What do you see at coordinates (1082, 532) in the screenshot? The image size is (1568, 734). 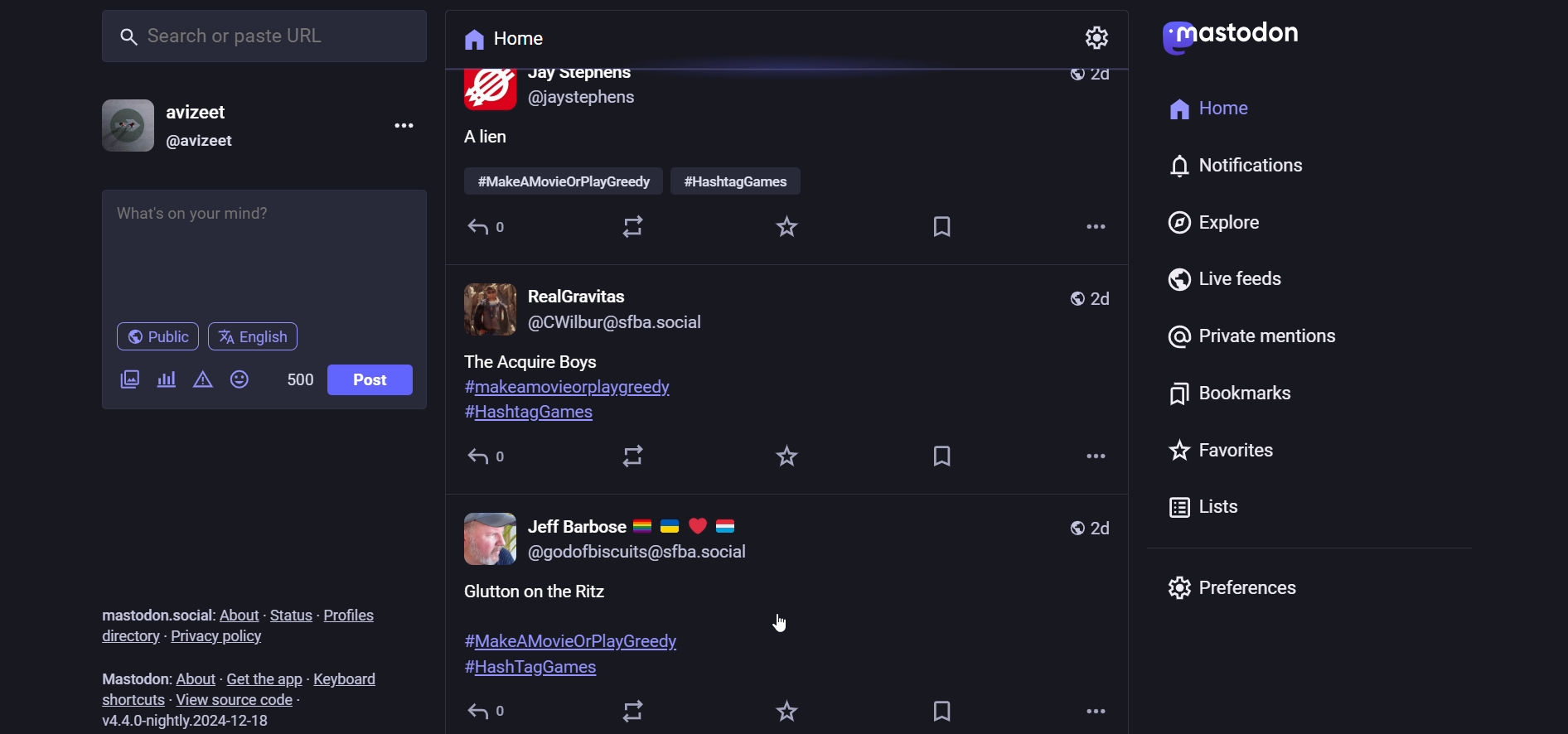 I see `day` at bounding box center [1082, 532].